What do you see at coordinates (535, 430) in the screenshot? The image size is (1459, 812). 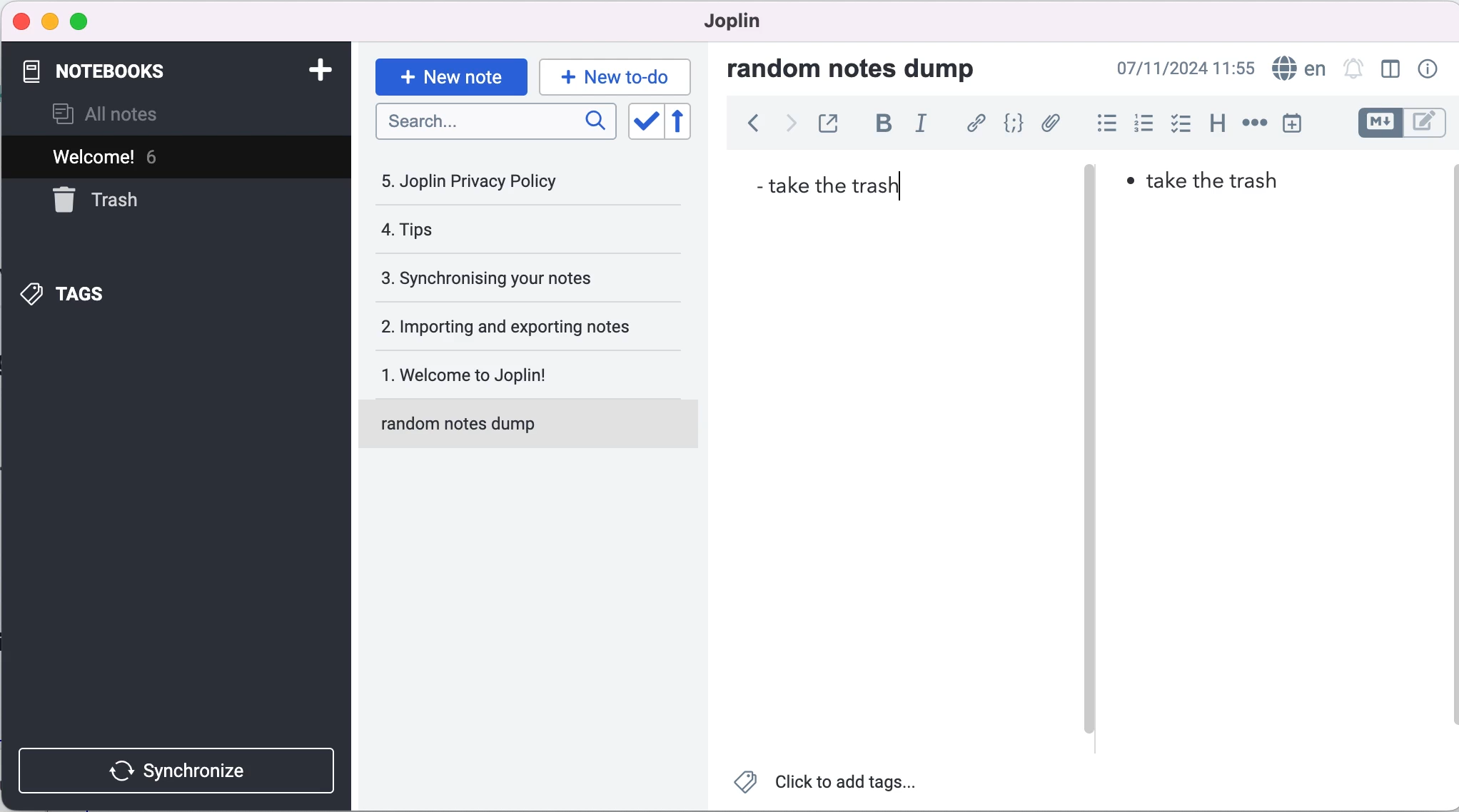 I see `random notes dump` at bounding box center [535, 430].